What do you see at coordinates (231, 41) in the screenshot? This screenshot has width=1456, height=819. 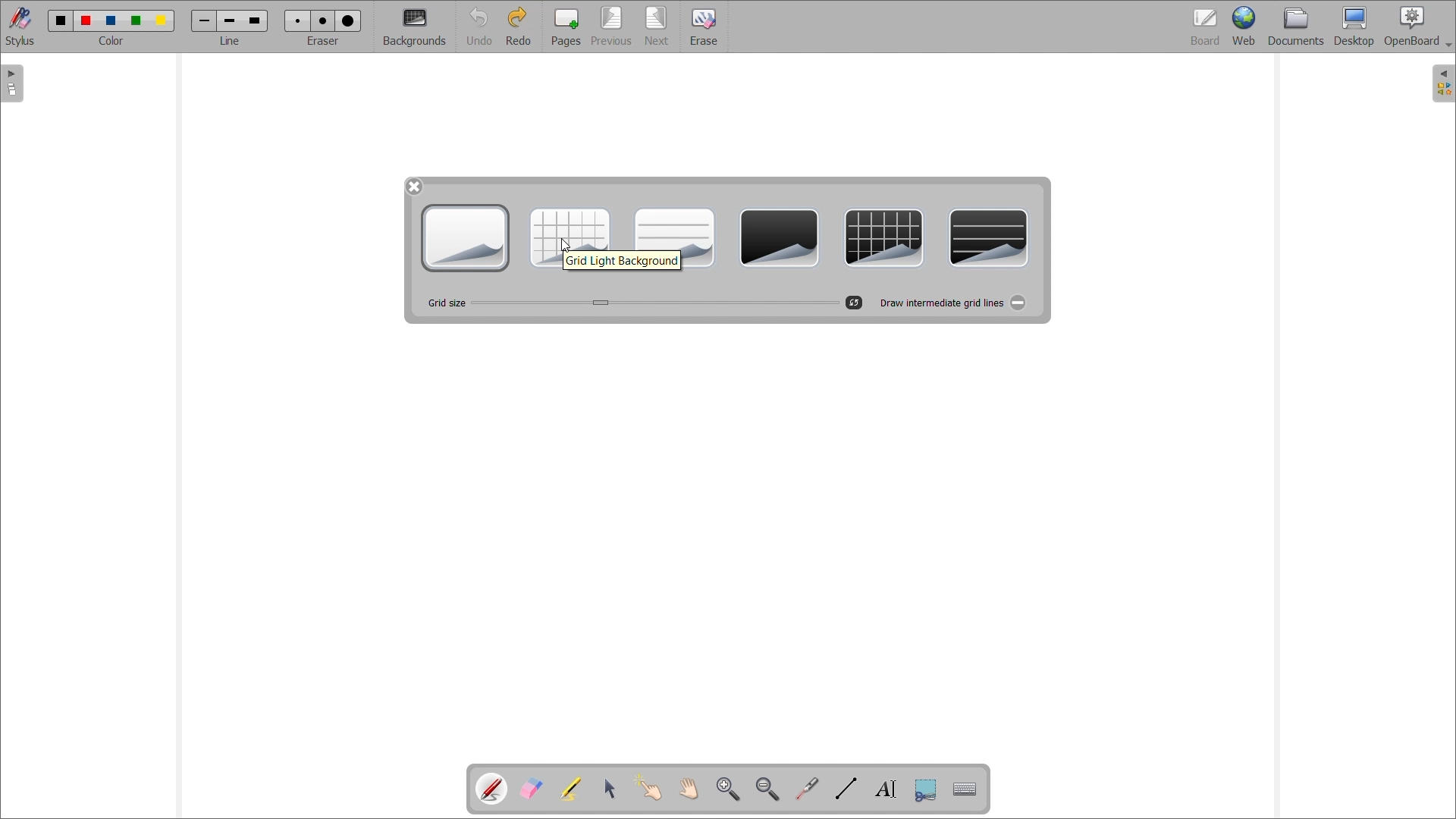 I see `Line` at bounding box center [231, 41].